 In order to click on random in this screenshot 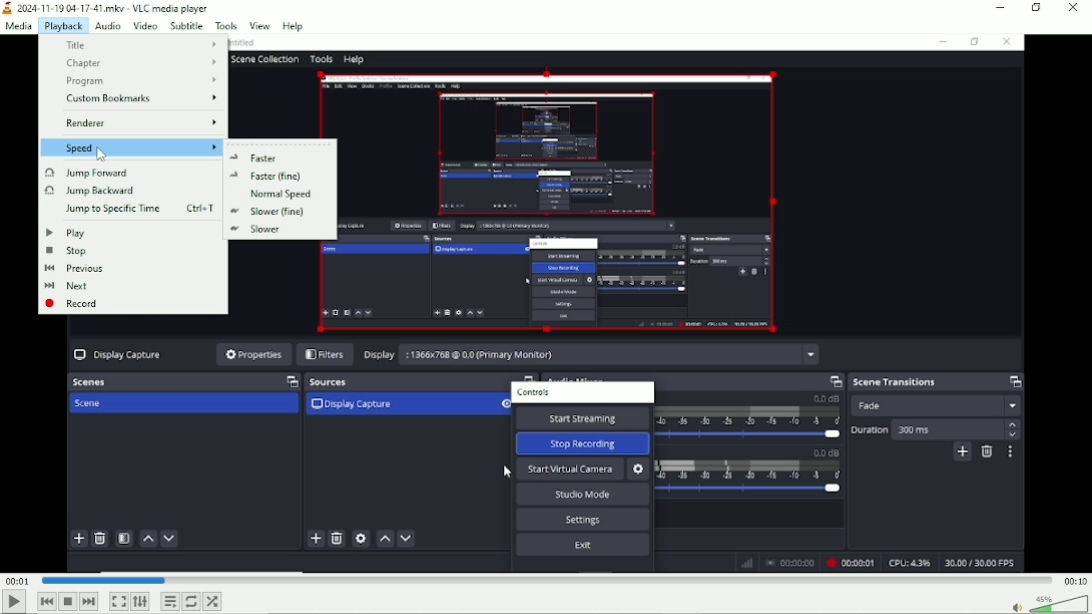, I will do `click(213, 602)`.